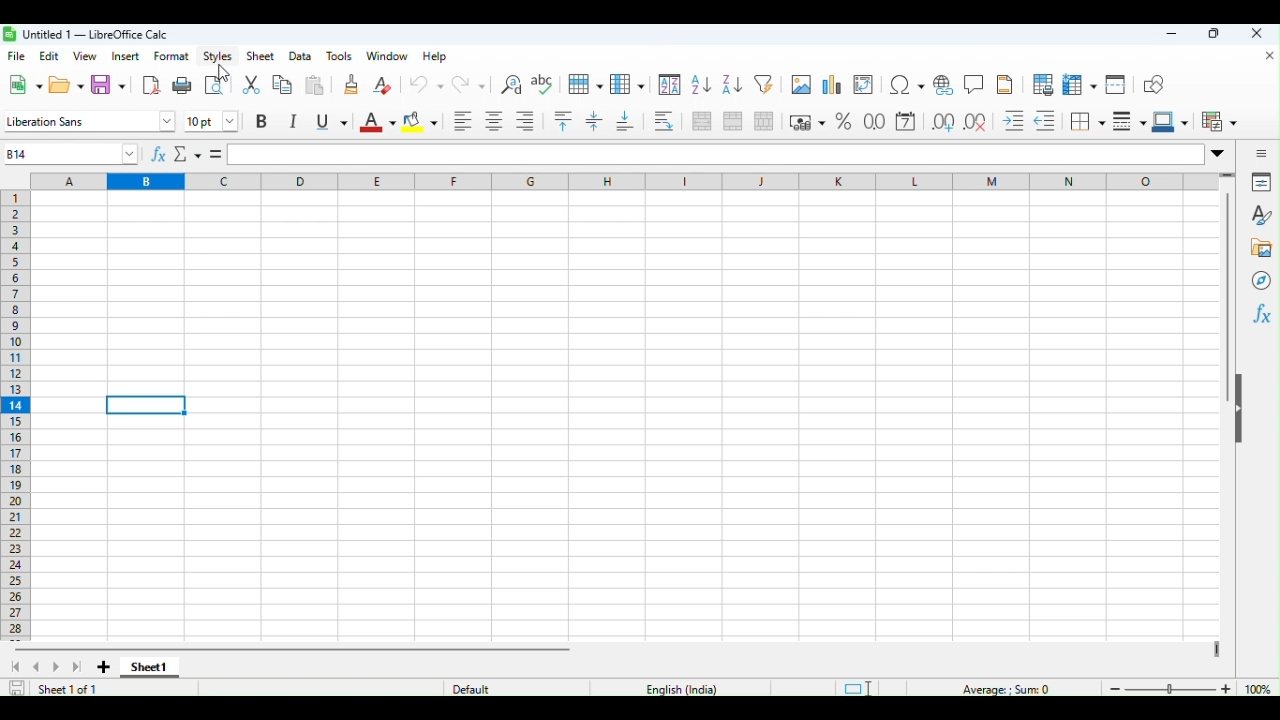  I want to click on Help , so click(433, 55).